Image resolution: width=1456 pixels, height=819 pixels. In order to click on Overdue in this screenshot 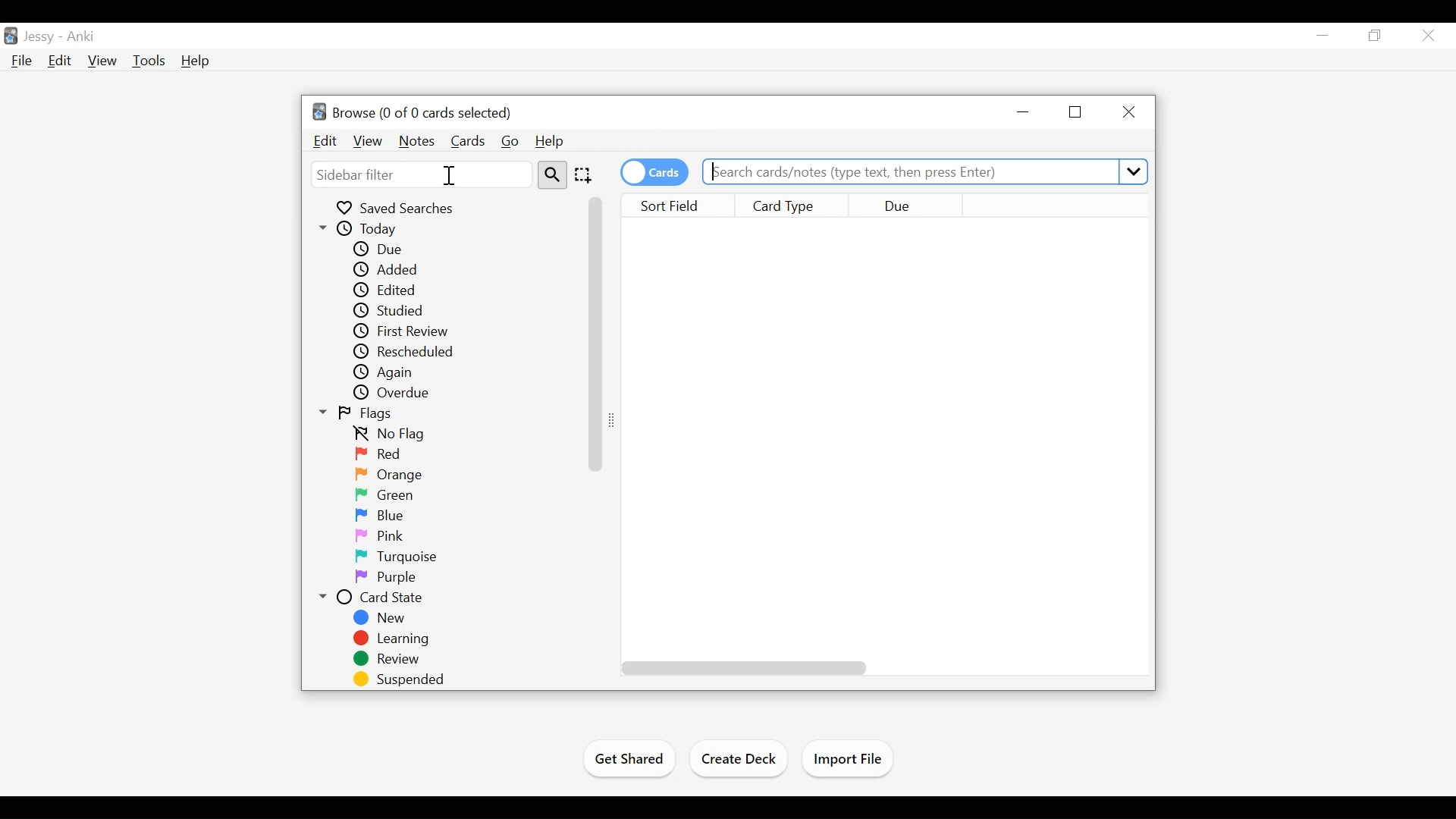, I will do `click(393, 394)`.